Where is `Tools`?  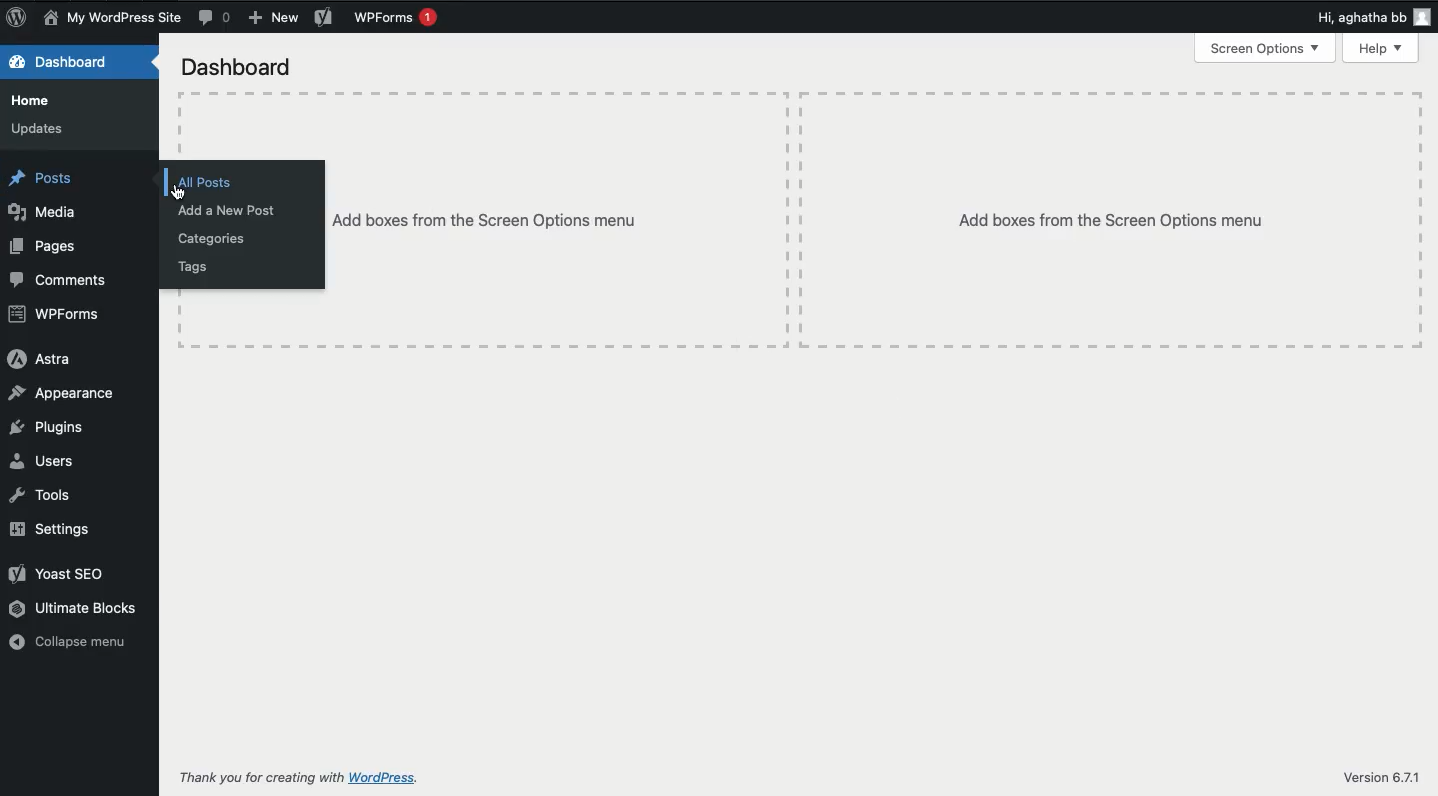 Tools is located at coordinates (43, 494).